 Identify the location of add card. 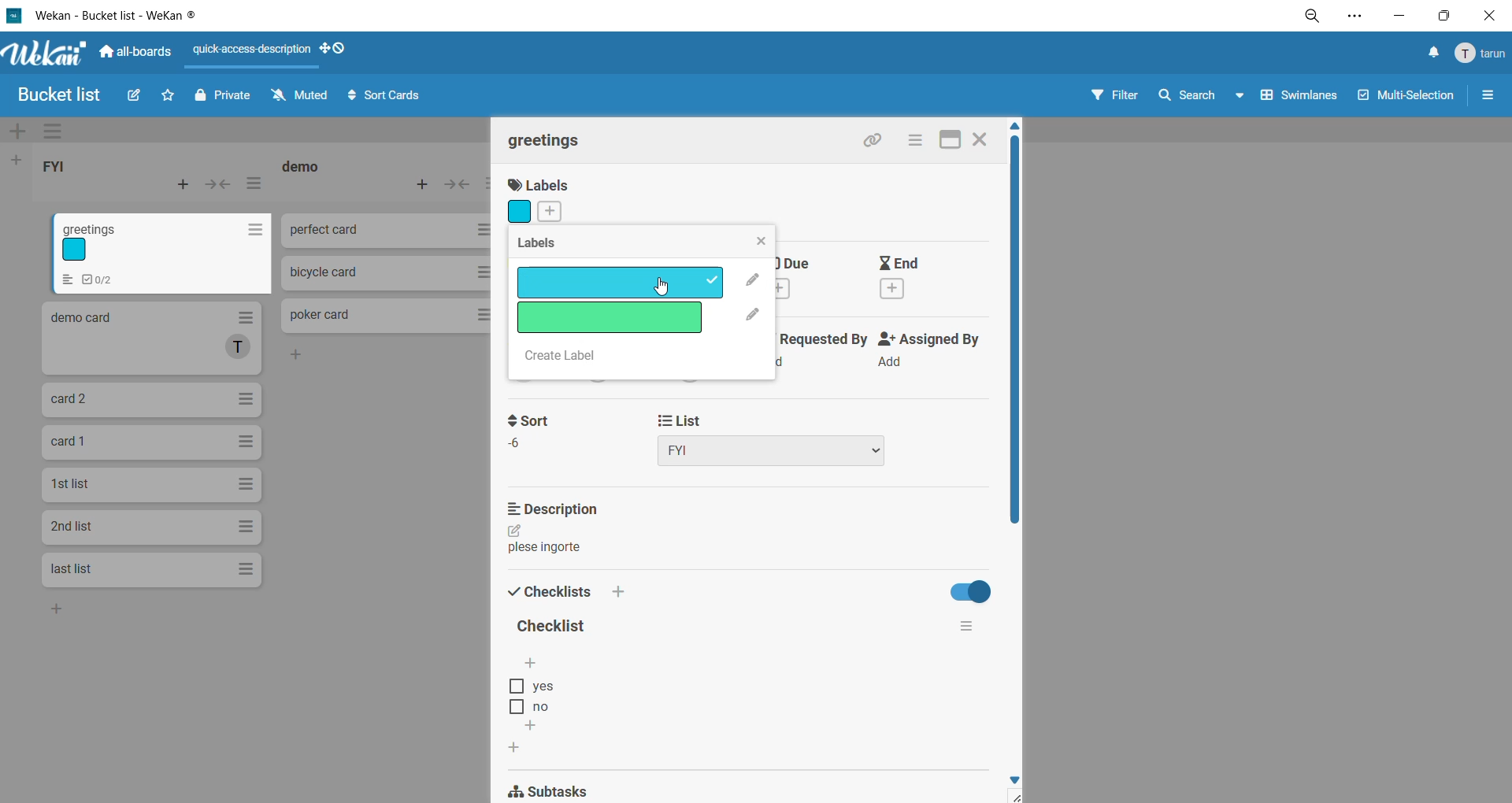
(180, 187).